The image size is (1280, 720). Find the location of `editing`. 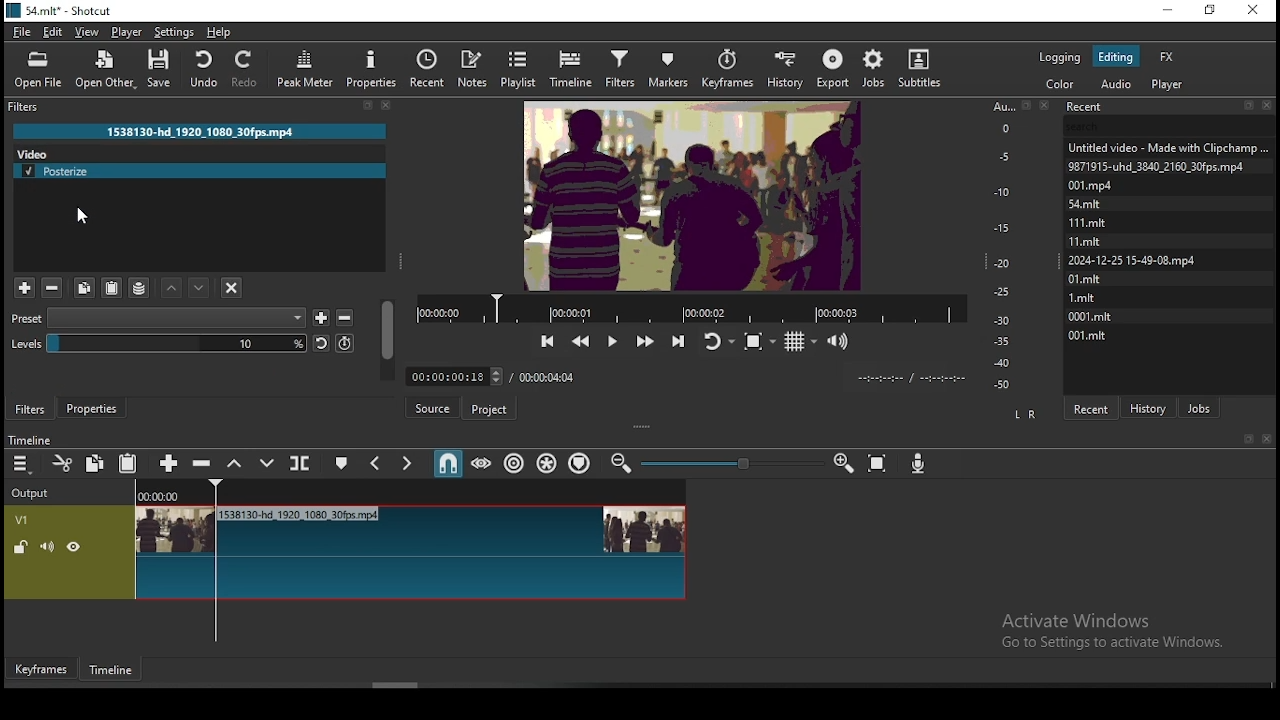

editing is located at coordinates (1115, 57).